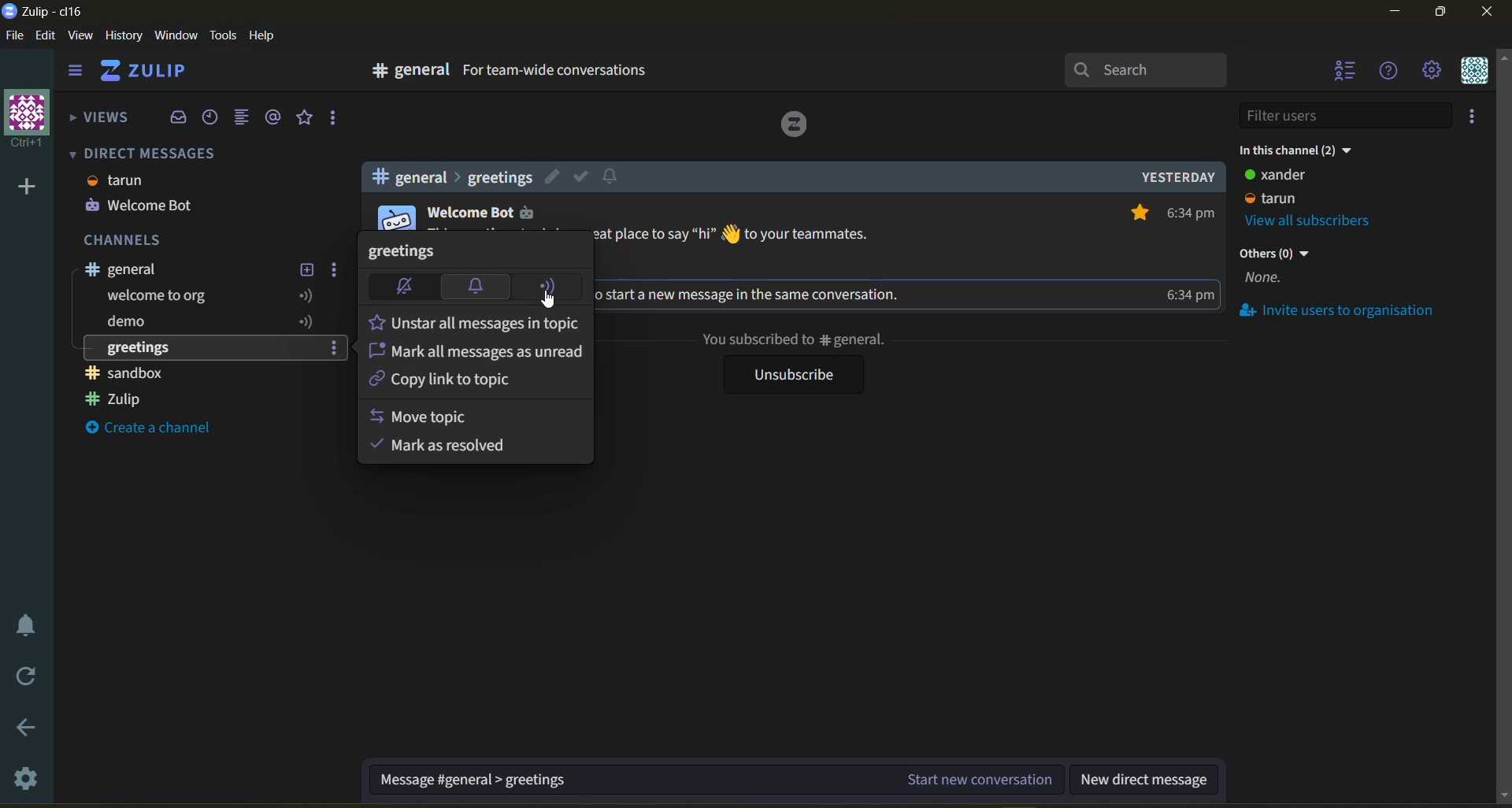 Image resolution: width=1512 pixels, height=808 pixels. I want to click on starred messages, so click(306, 118).